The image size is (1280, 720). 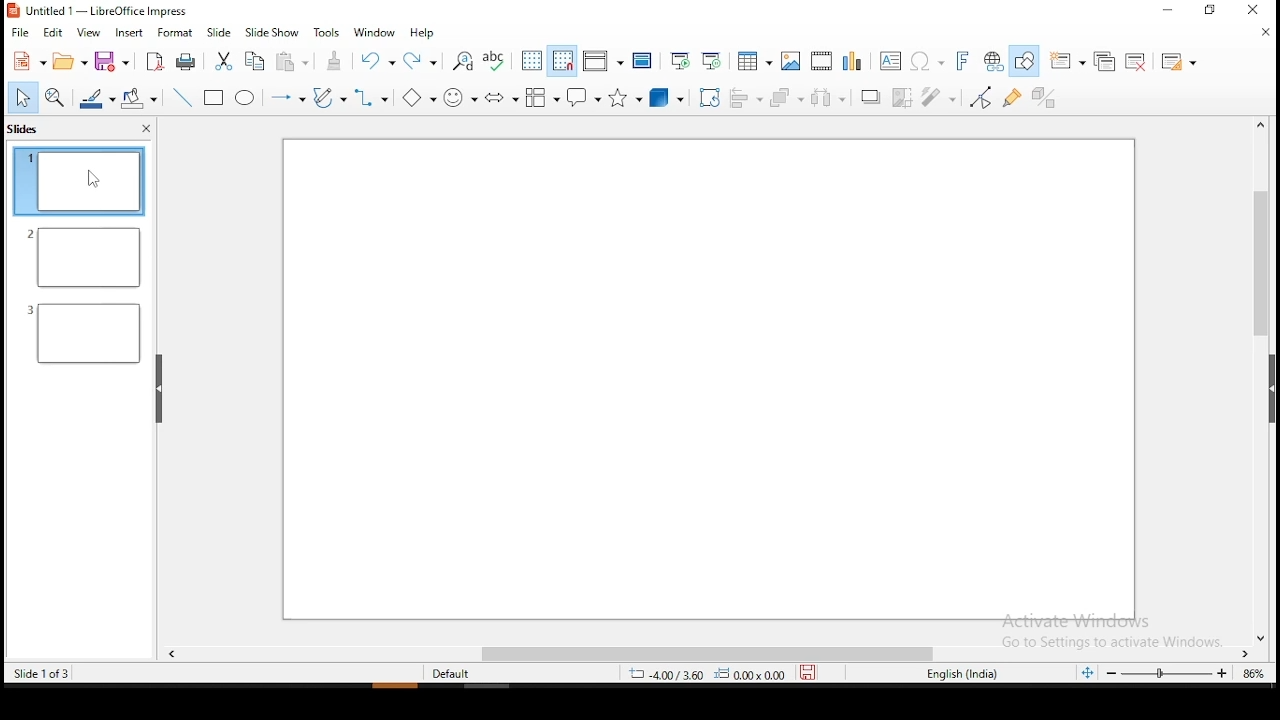 I want to click on tools, so click(x=327, y=33).